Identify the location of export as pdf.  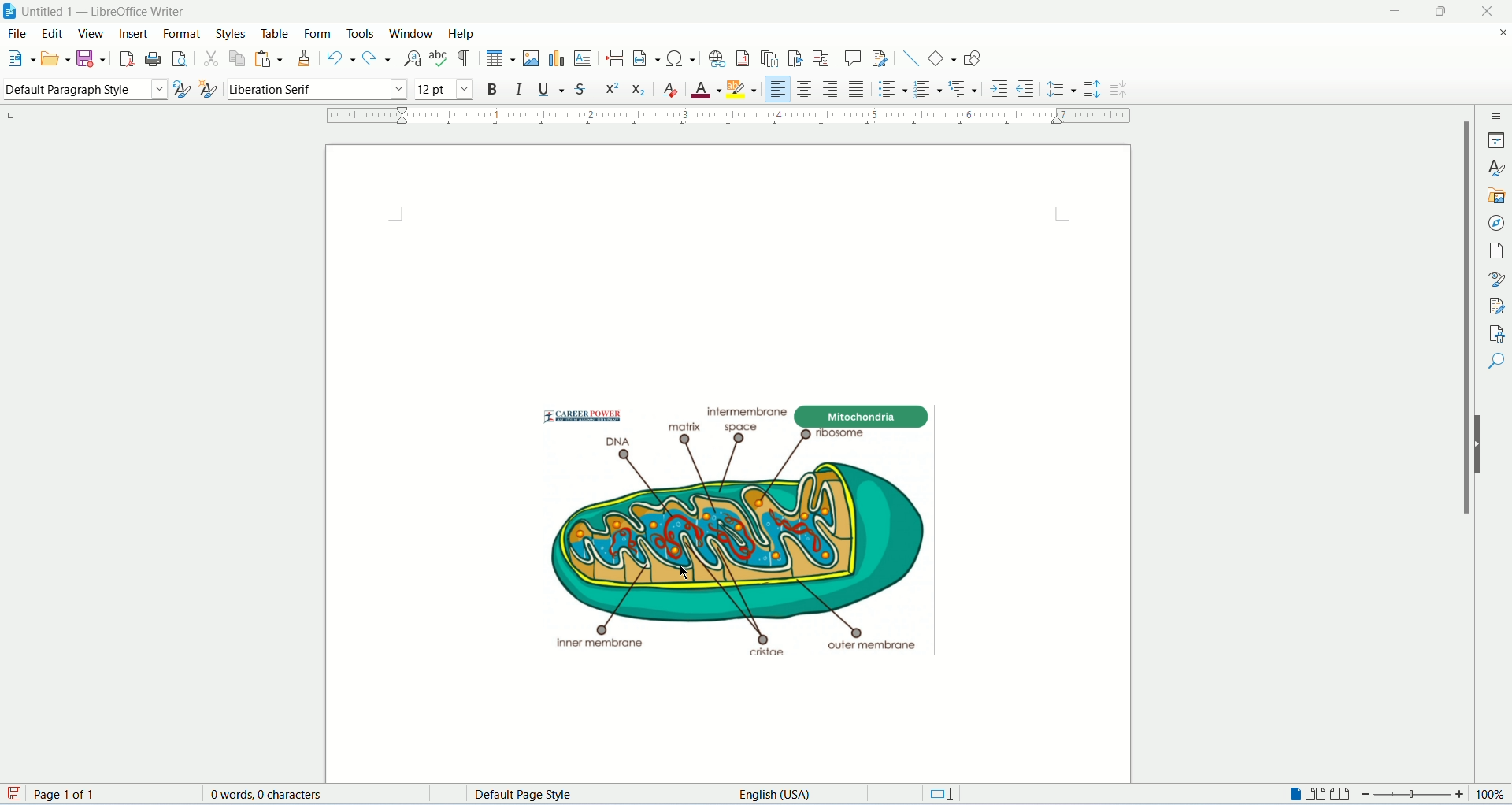
(127, 61).